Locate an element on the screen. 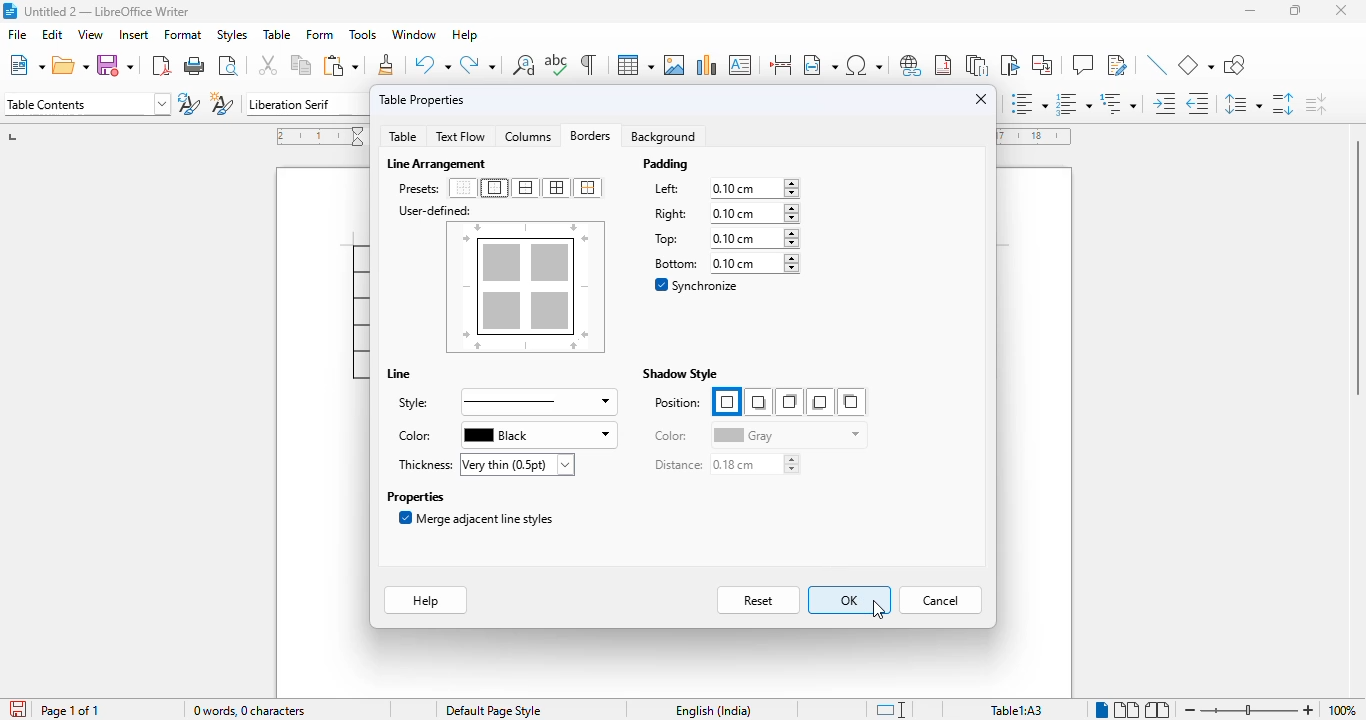  distance: 0.18 cm is located at coordinates (726, 465).